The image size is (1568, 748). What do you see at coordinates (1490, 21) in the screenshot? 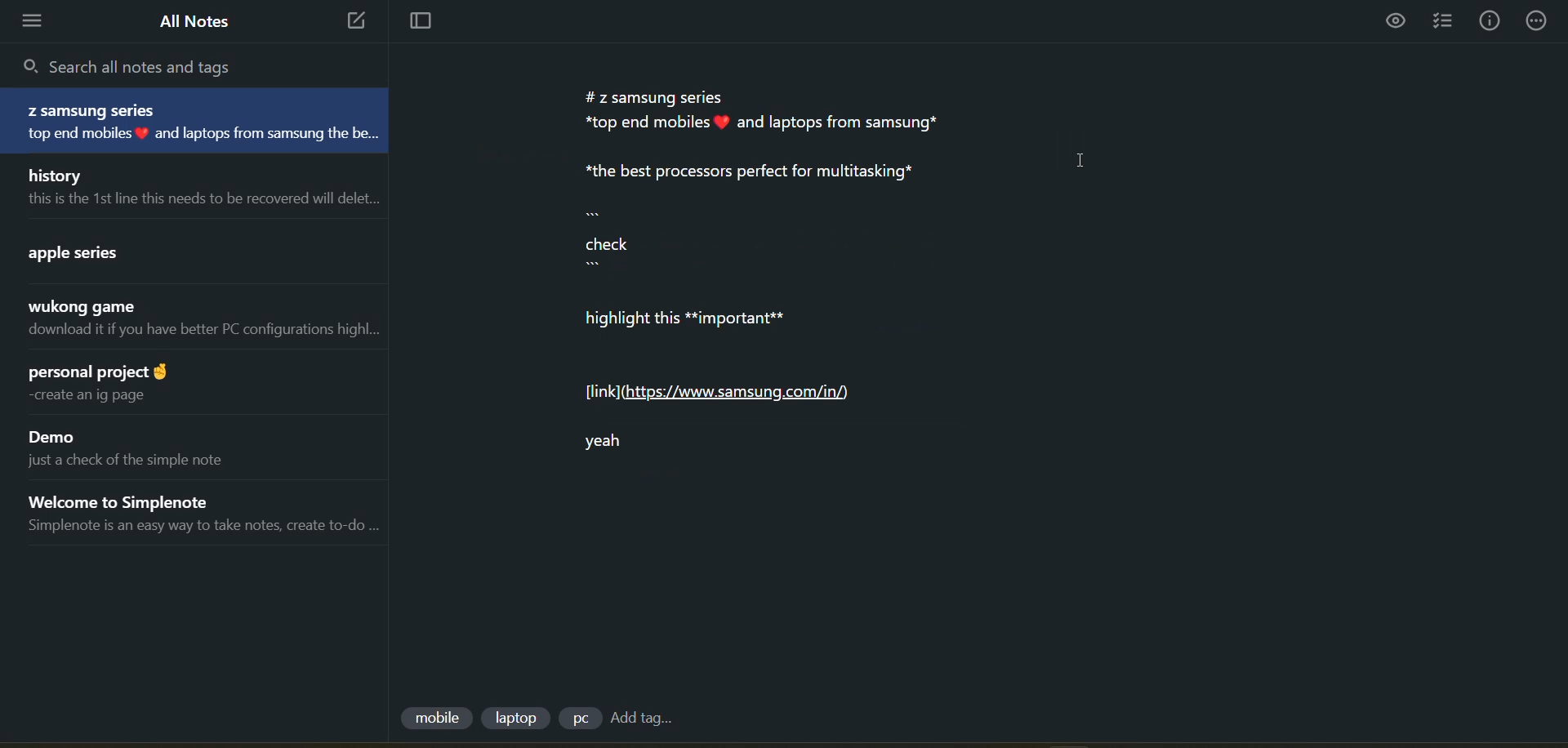
I see `info` at bounding box center [1490, 21].